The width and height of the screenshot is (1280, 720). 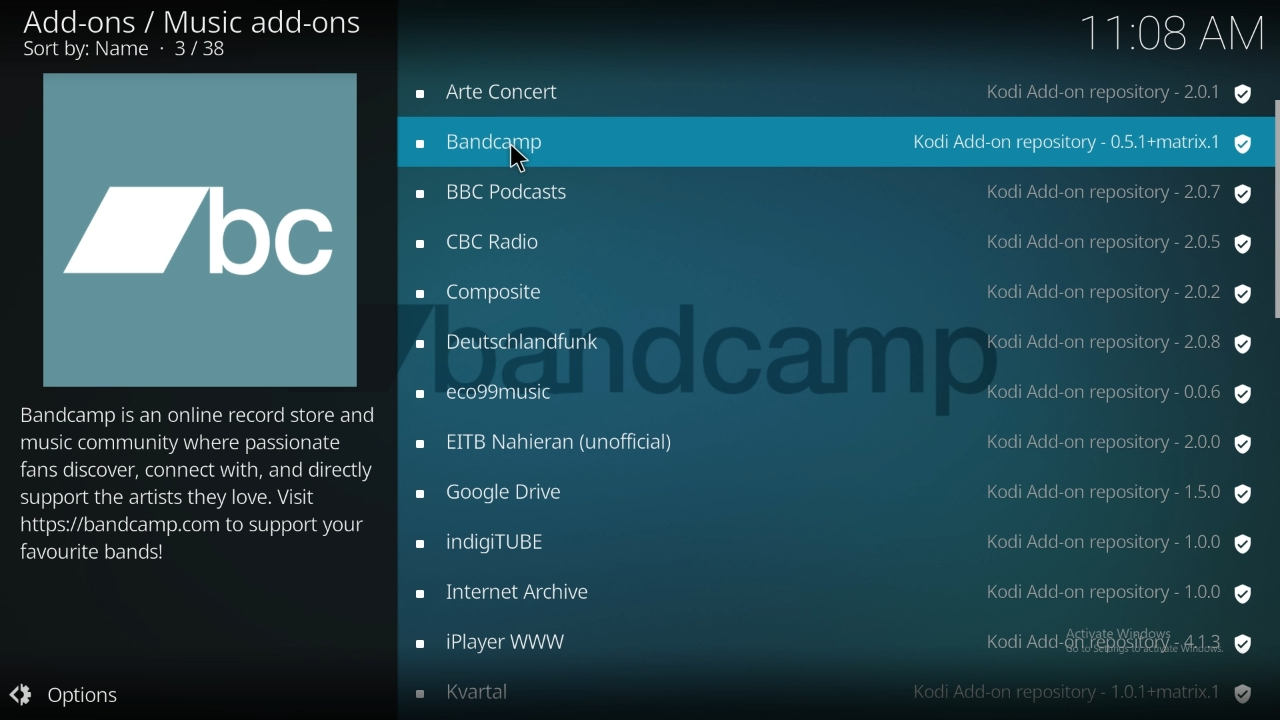 I want to click on add on, so click(x=832, y=395).